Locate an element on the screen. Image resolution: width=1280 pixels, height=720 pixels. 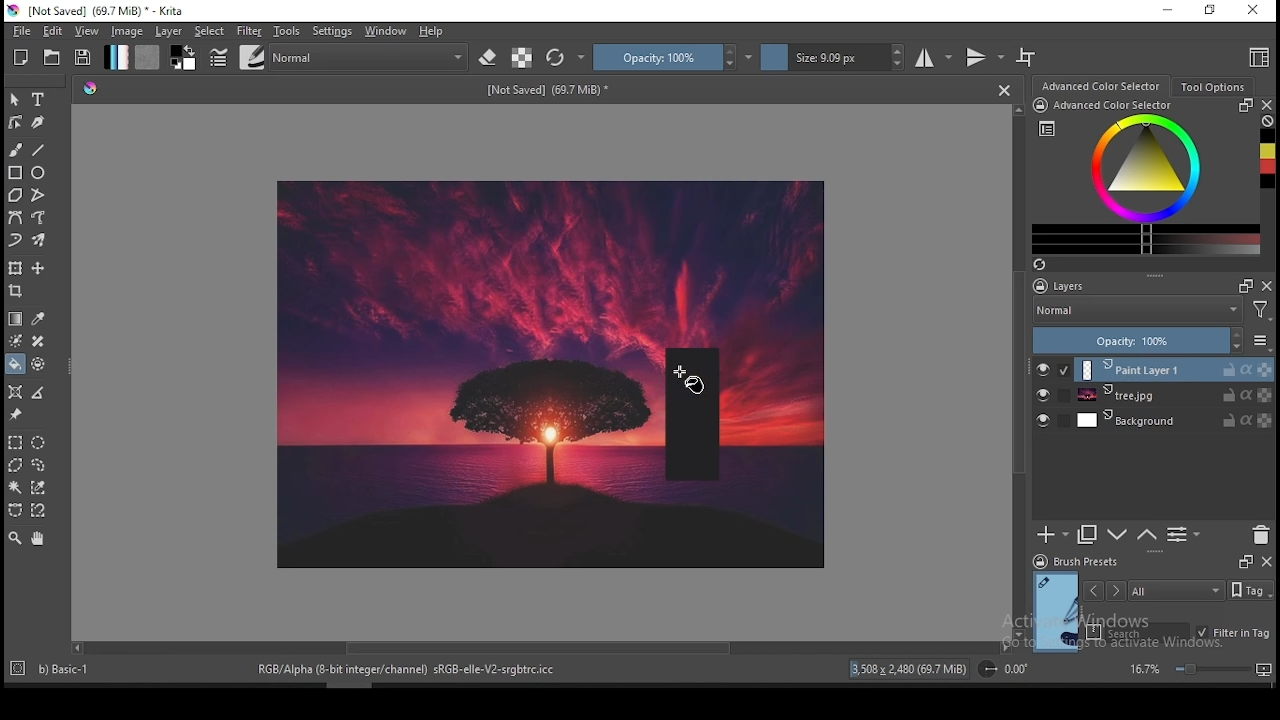
delete layer is located at coordinates (1262, 535).